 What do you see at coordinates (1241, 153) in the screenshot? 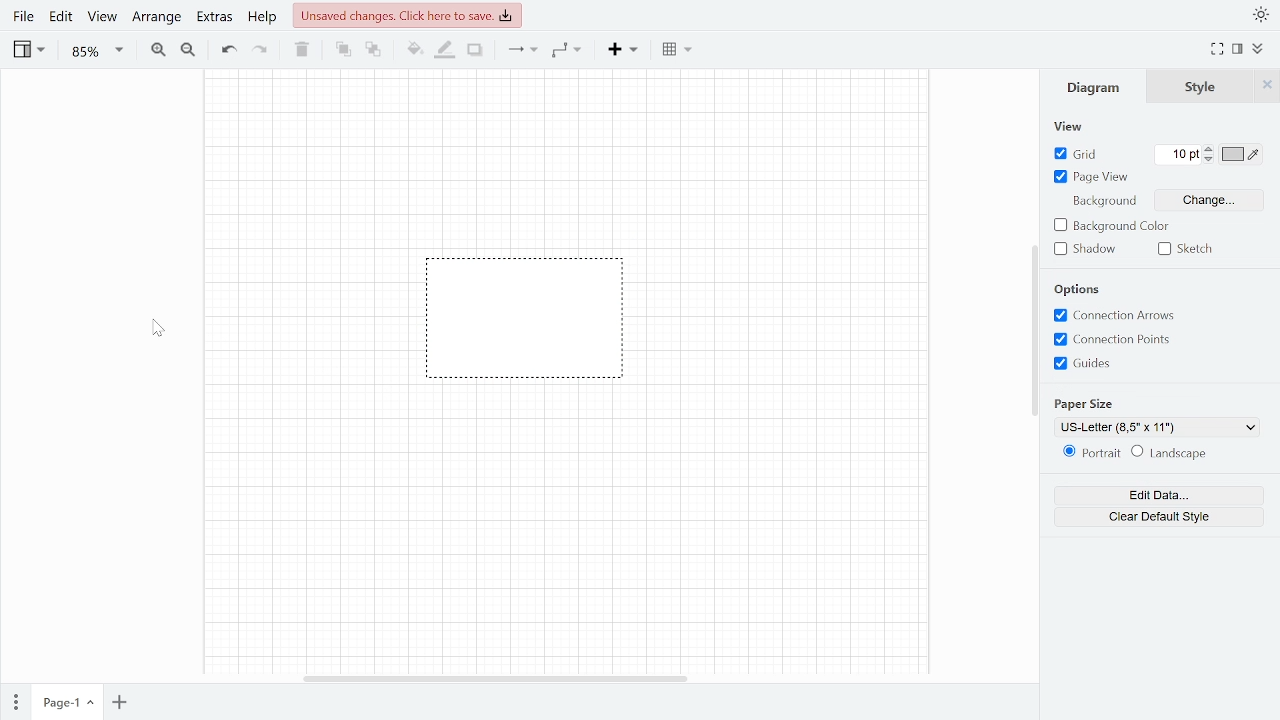
I see `Grid color` at bounding box center [1241, 153].